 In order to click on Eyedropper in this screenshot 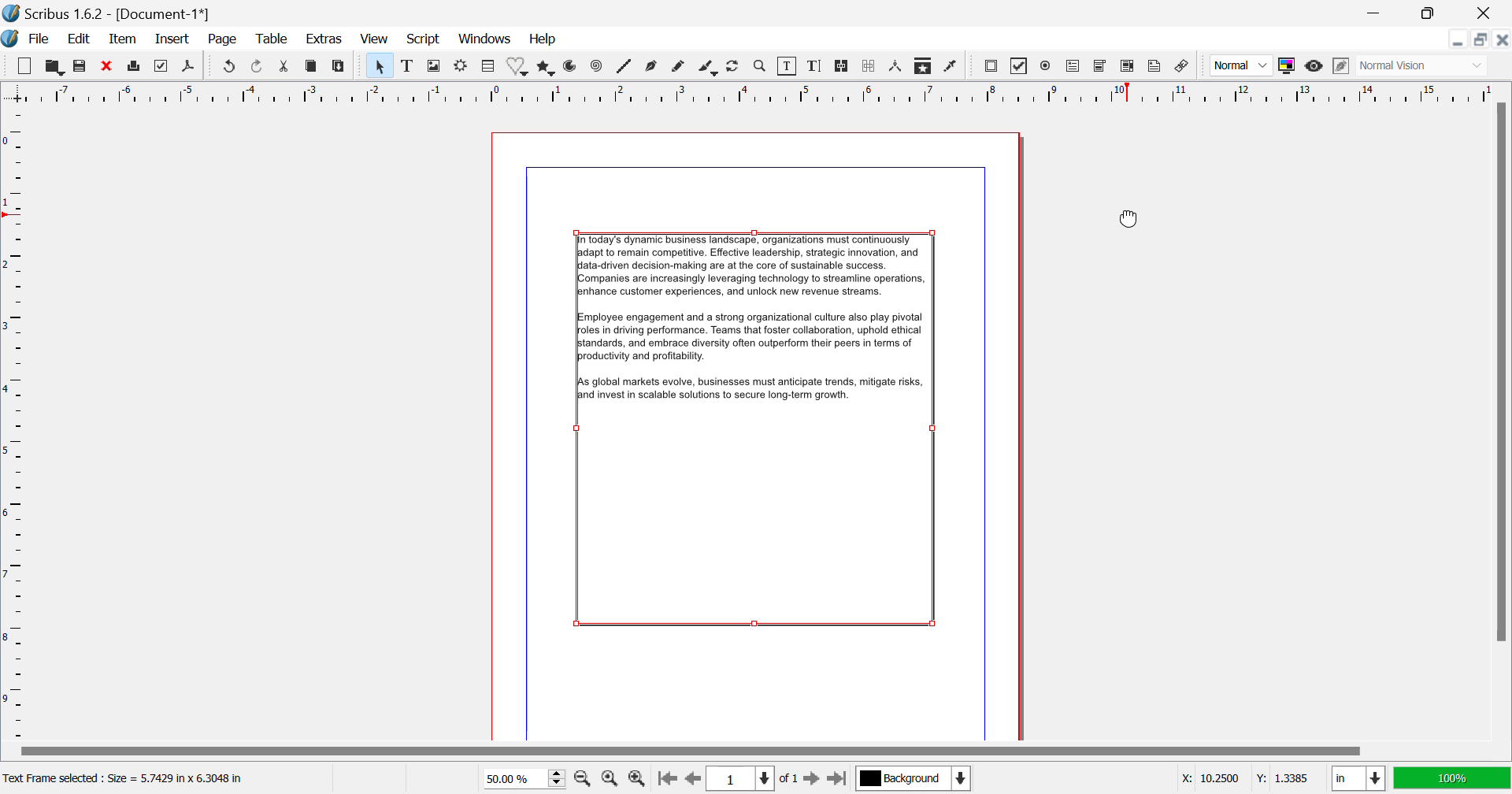, I will do `click(953, 68)`.